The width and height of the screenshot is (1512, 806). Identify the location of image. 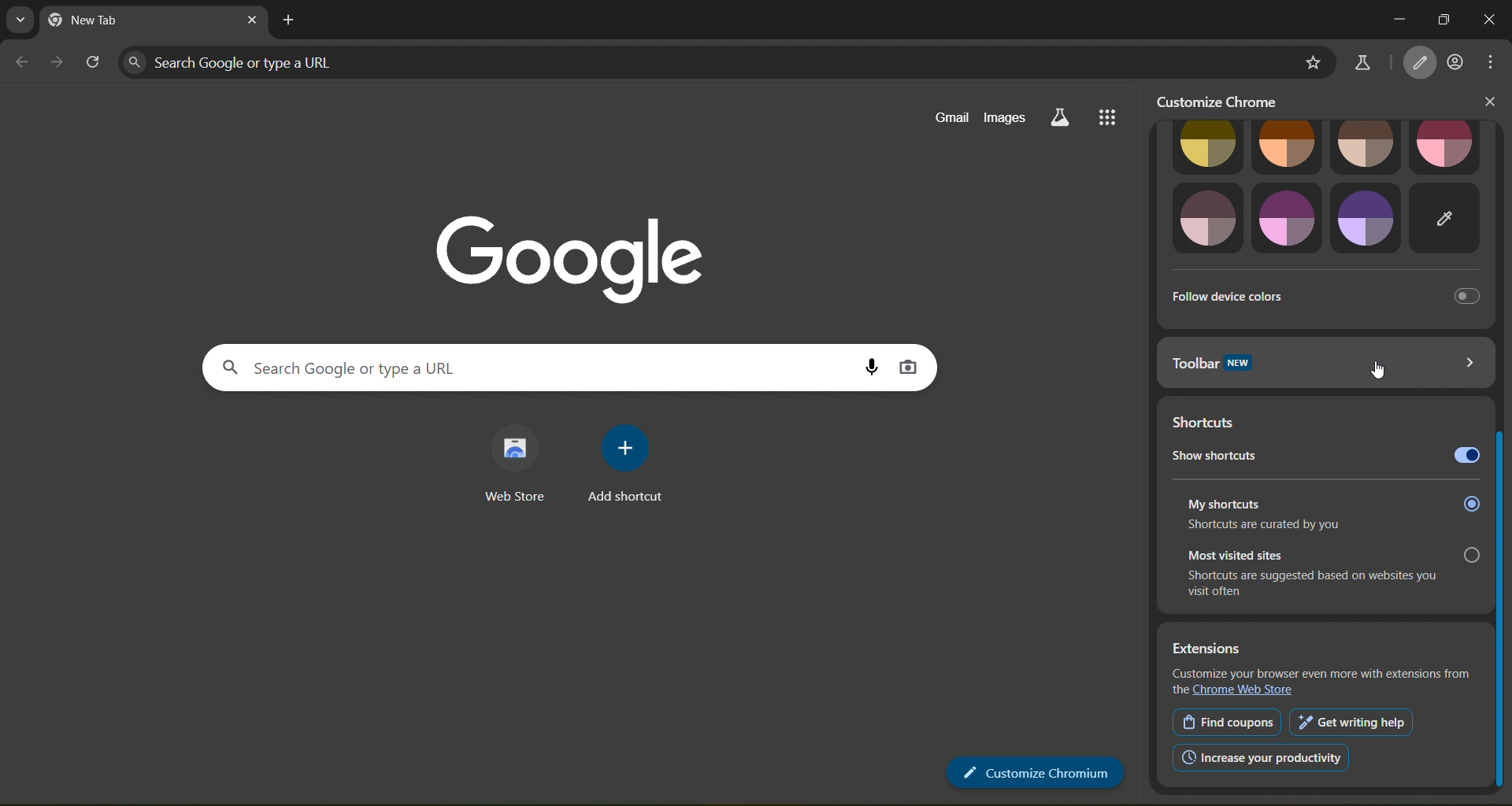
(1206, 220).